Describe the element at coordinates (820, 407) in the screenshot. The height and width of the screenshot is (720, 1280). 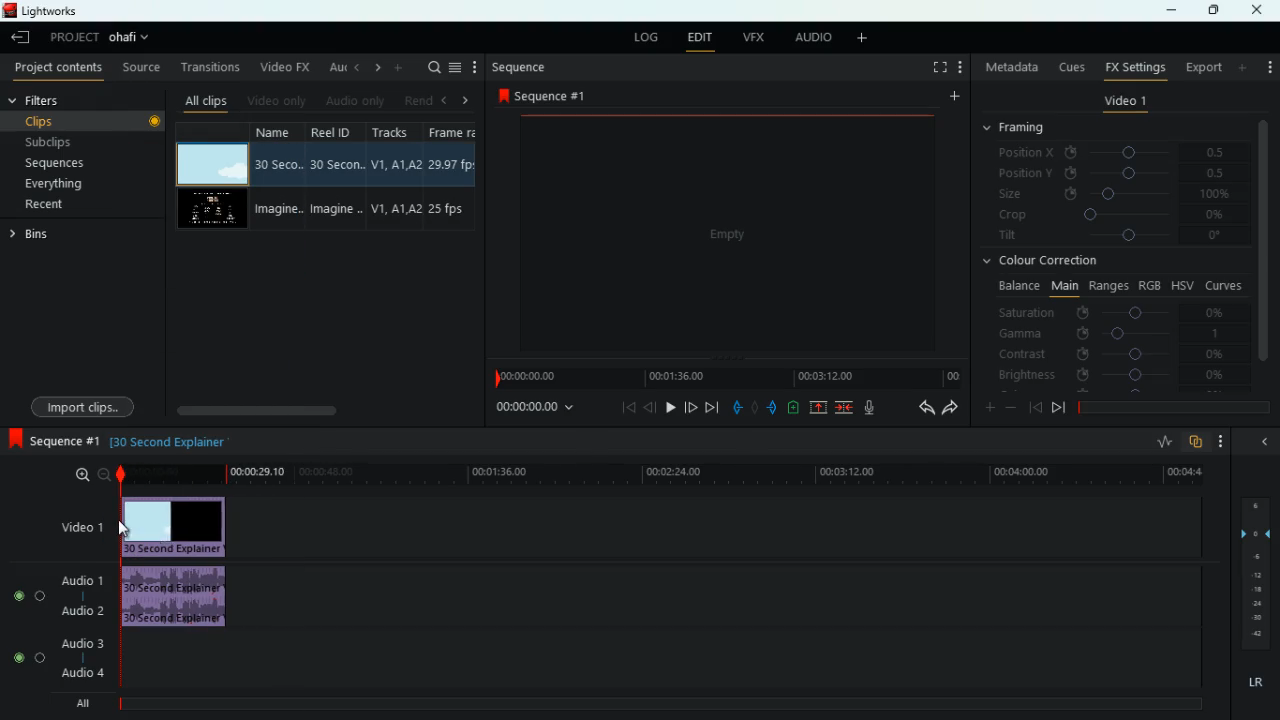
I see `up` at that location.